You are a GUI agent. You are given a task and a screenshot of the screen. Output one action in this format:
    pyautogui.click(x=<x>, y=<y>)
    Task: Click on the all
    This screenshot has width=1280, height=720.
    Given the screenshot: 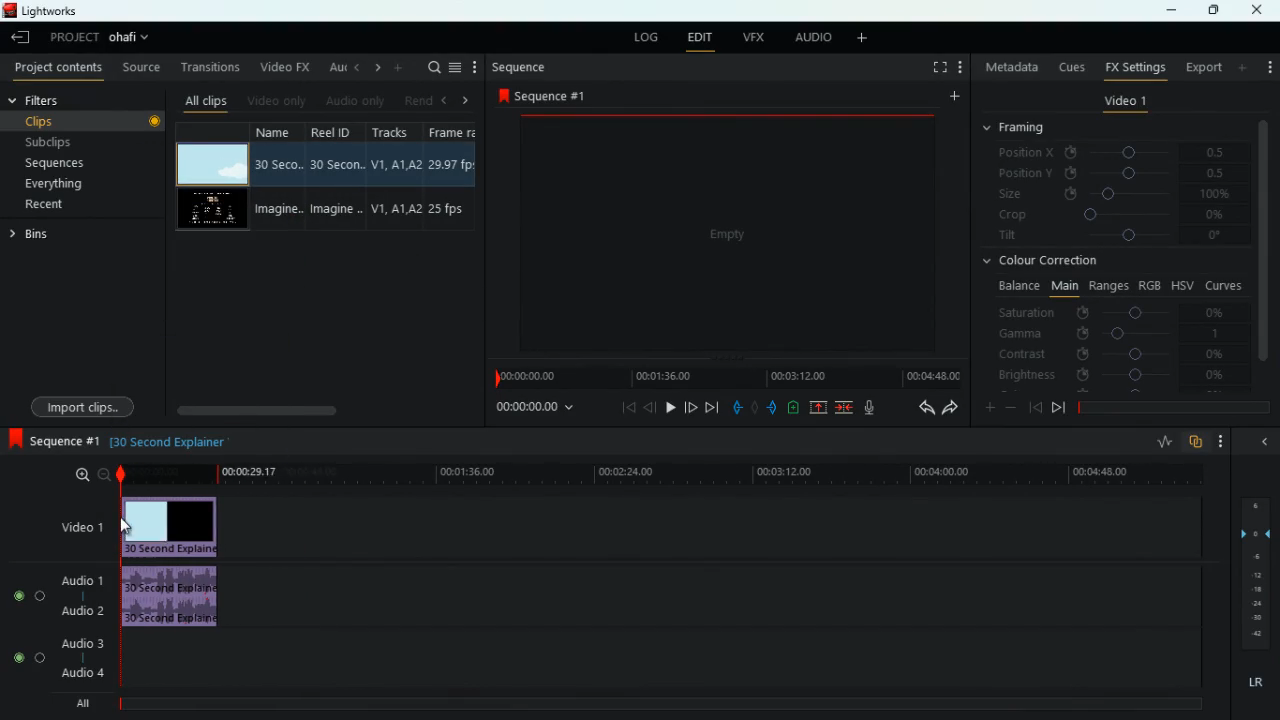 What is the action you would take?
    pyautogui.click(x=78, y=706)
    